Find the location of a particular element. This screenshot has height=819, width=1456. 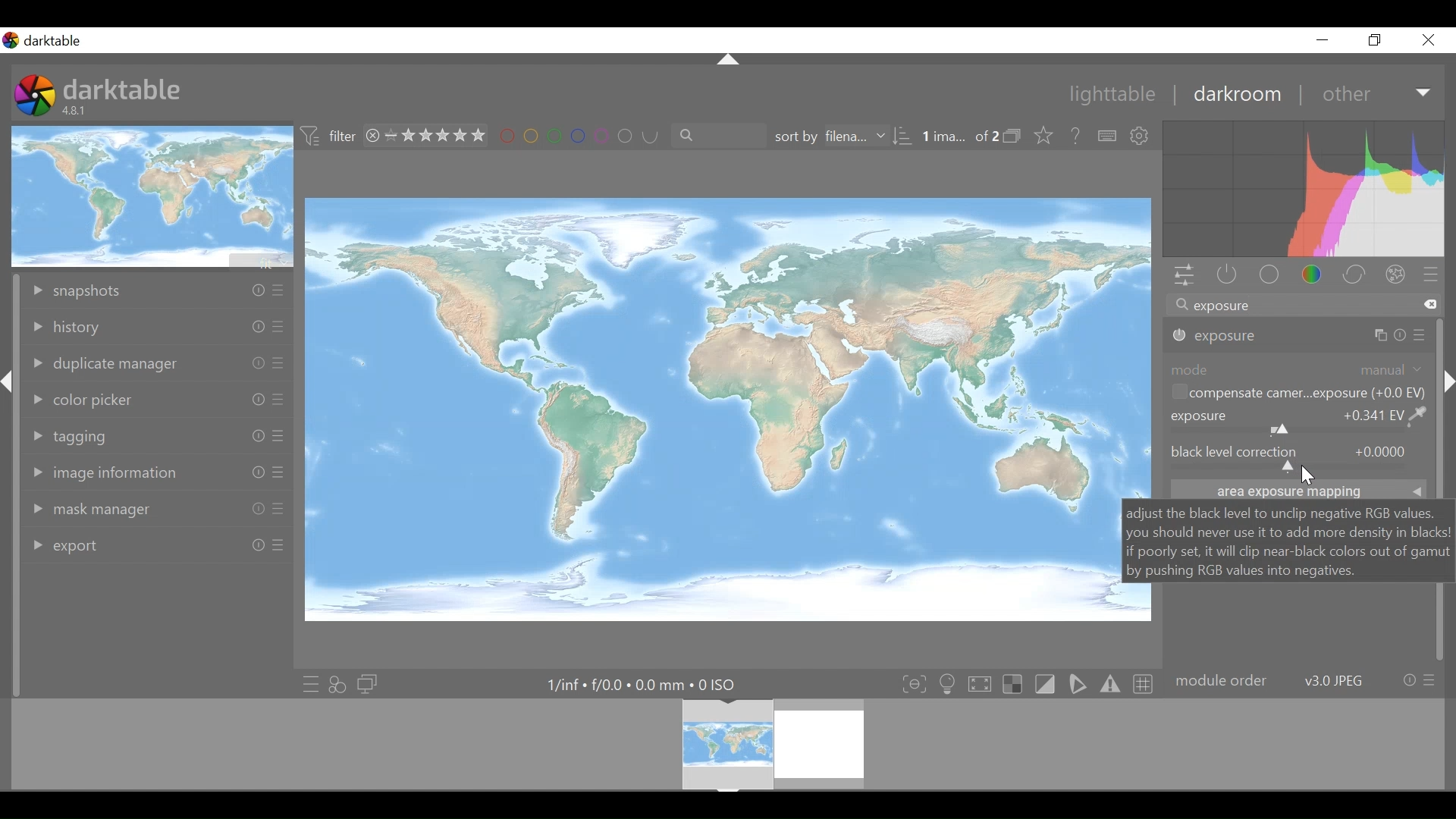

range filtering is located at coordinates (422, 136).